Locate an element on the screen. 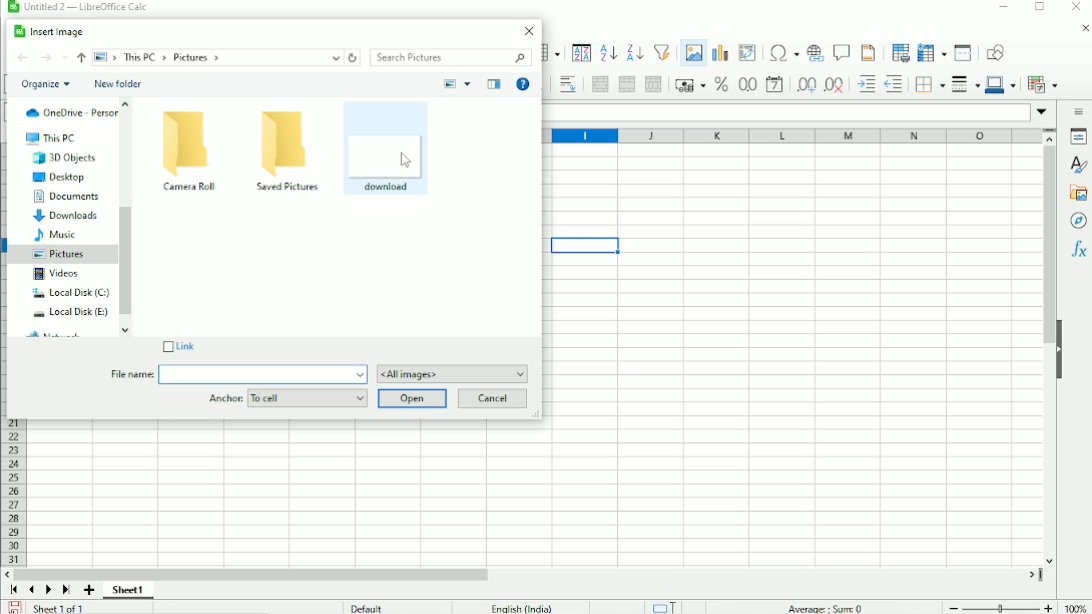 The height and width of the screenshot is (614, 1092). Downloads is located at coordinates (67, 215).